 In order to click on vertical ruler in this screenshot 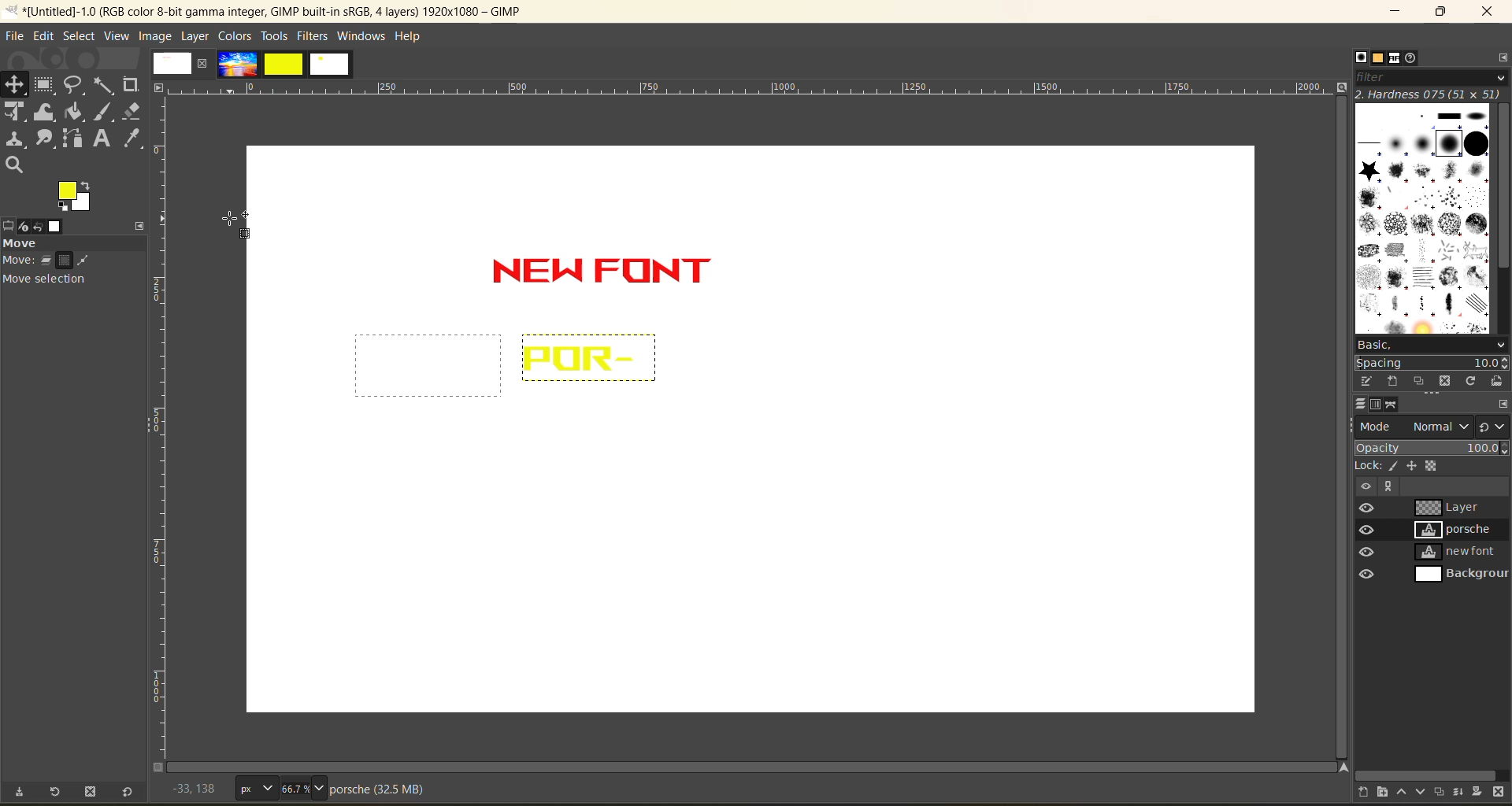, I will do `click(159, 427)`.